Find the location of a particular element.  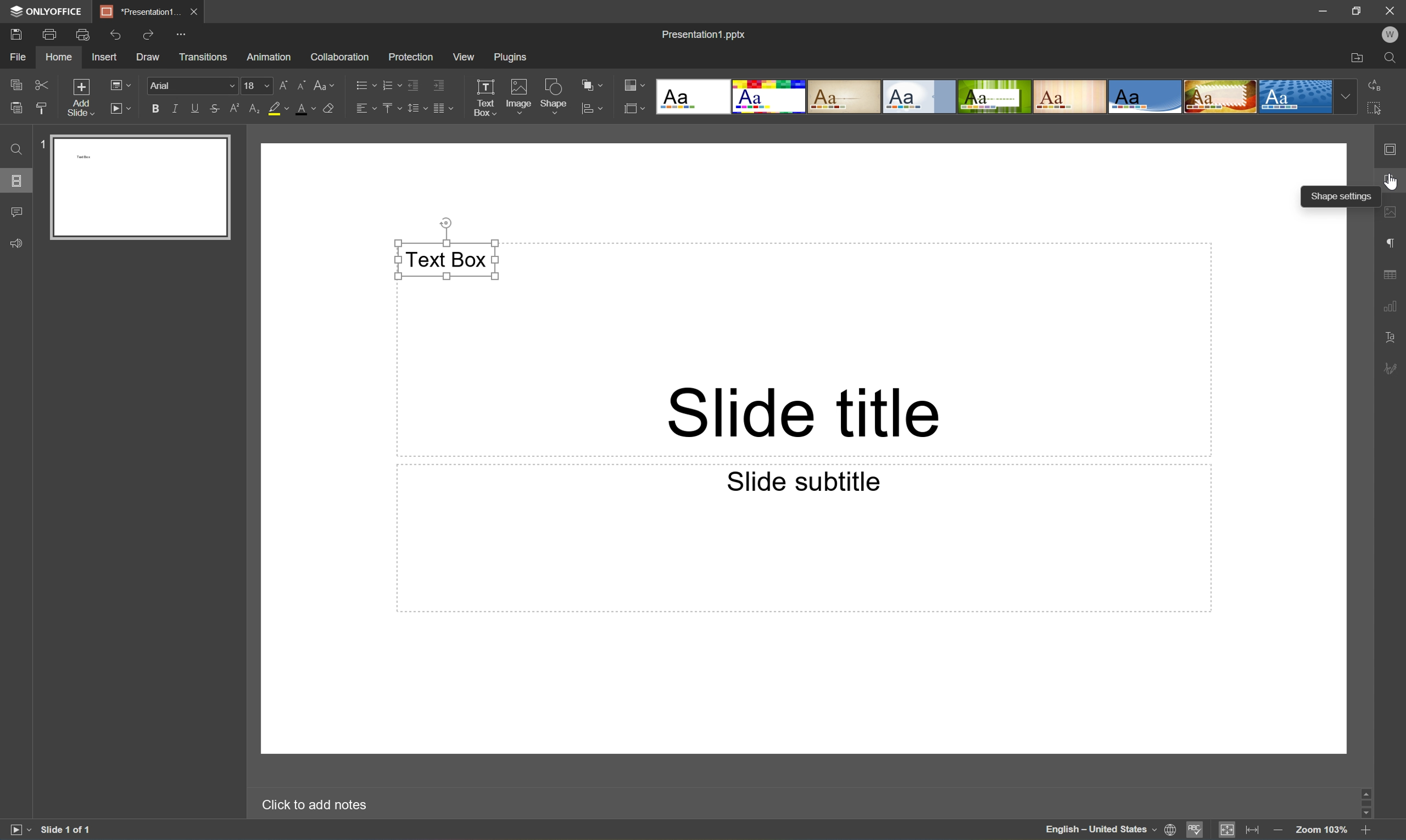

Feedback & Support is located at coordinates (16, 244).